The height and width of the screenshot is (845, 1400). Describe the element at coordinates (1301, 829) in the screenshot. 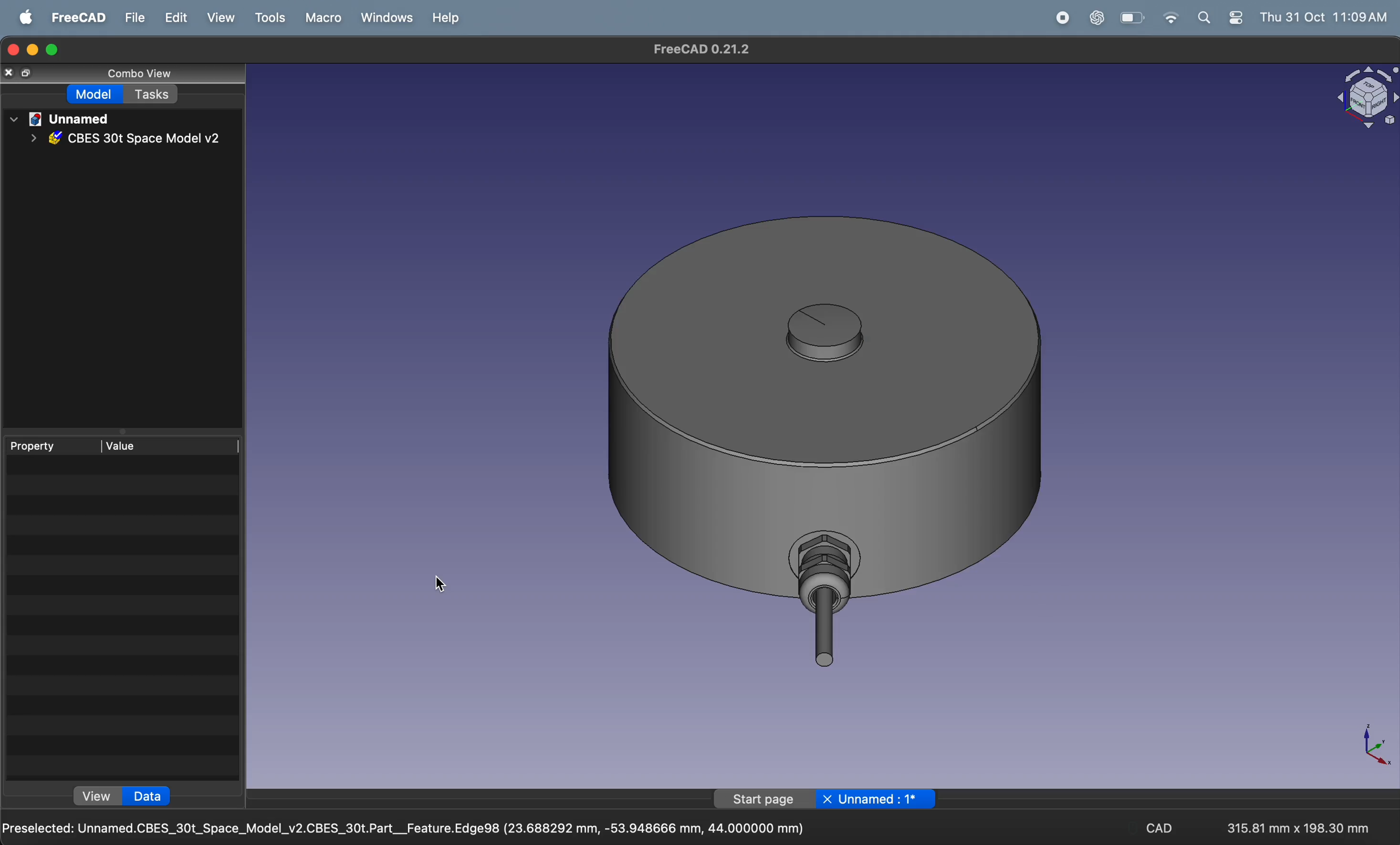

I see `315.81 mm x 198.30 mm` at that location.